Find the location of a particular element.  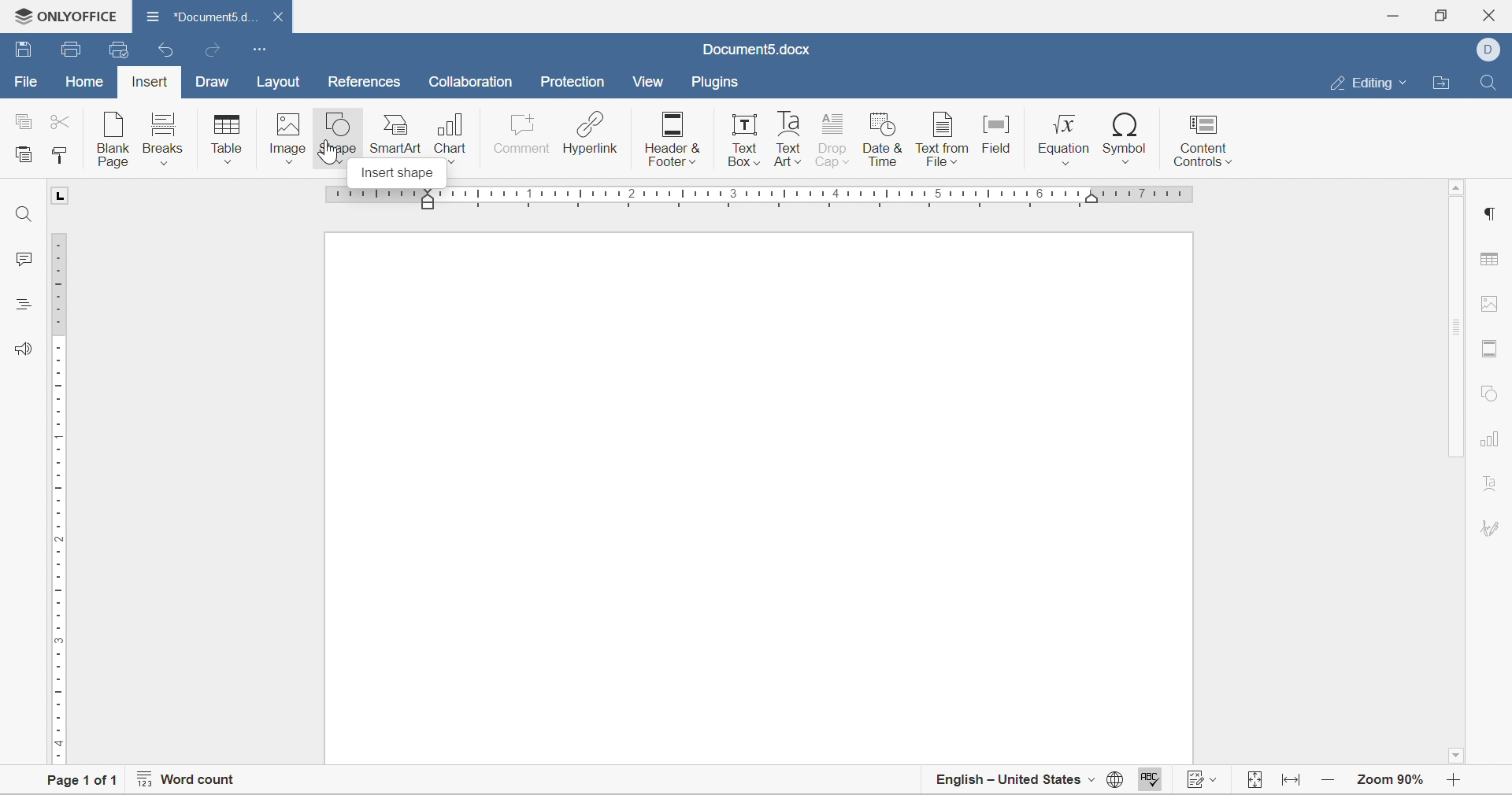

protection is located at coordinates (573, 81).